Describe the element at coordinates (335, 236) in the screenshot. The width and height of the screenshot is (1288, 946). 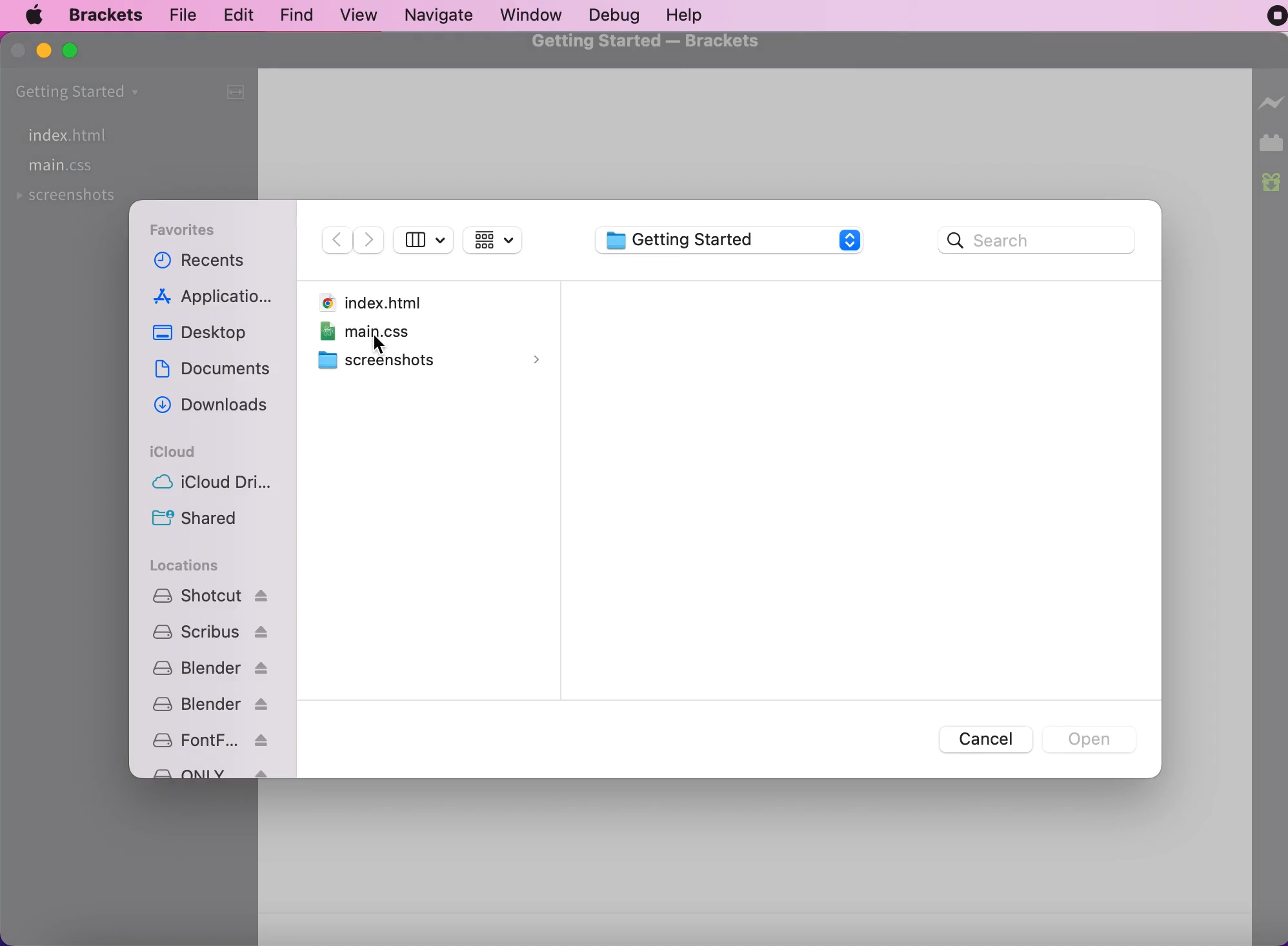
I see `back` at that location.